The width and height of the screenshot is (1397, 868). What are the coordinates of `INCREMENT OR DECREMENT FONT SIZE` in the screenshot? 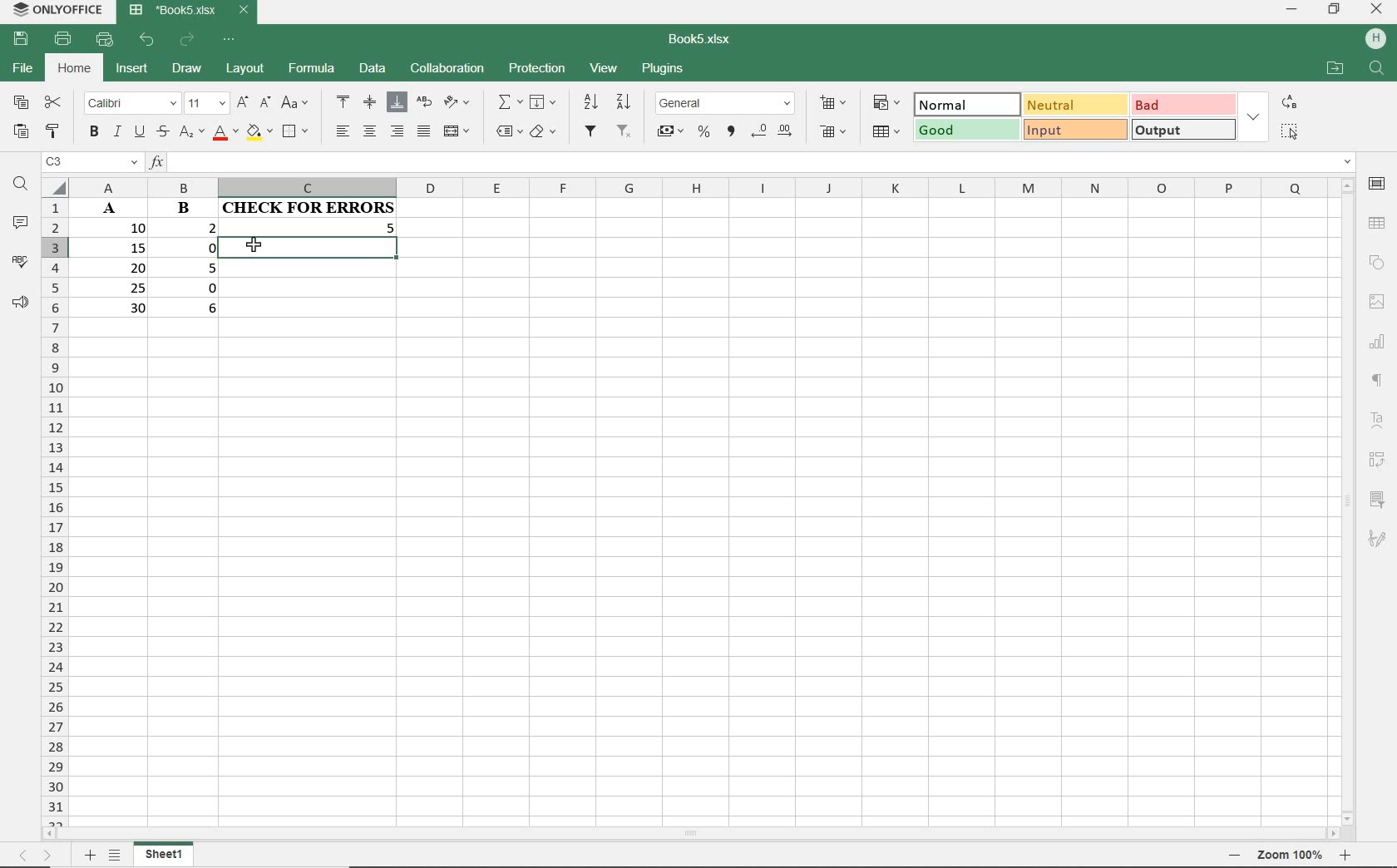 It's located at (253, 104).